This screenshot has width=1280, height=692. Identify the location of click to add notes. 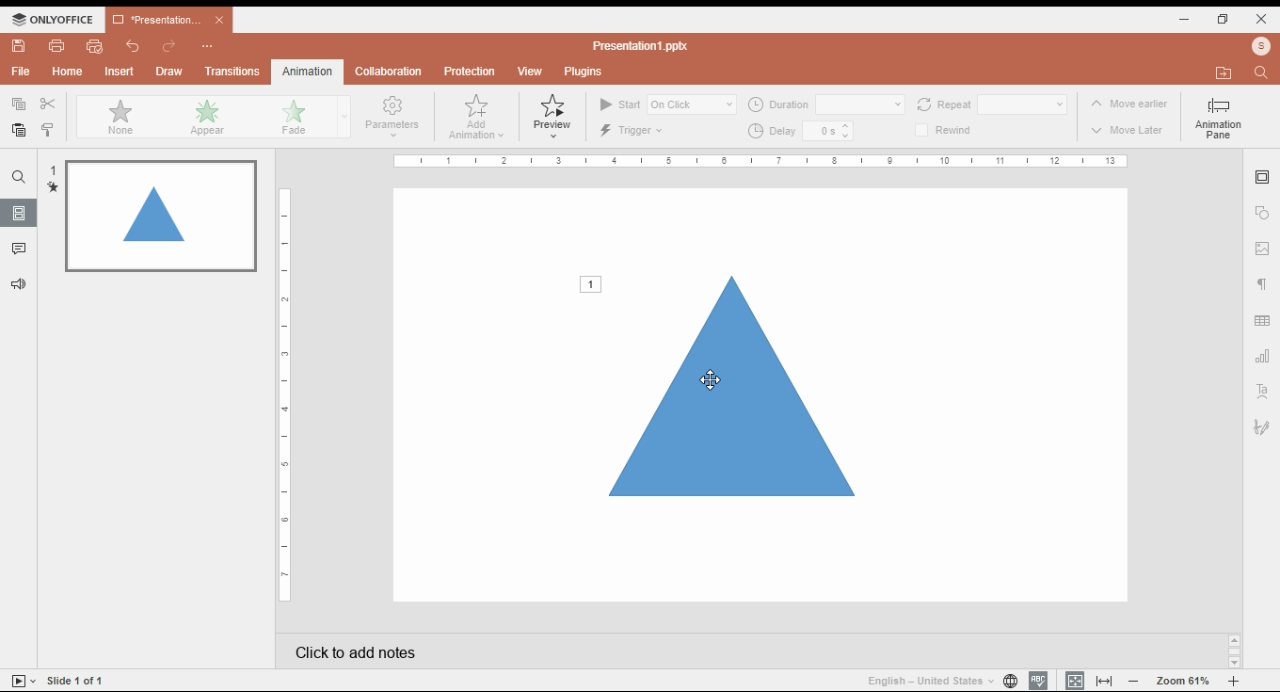
(652, 649).